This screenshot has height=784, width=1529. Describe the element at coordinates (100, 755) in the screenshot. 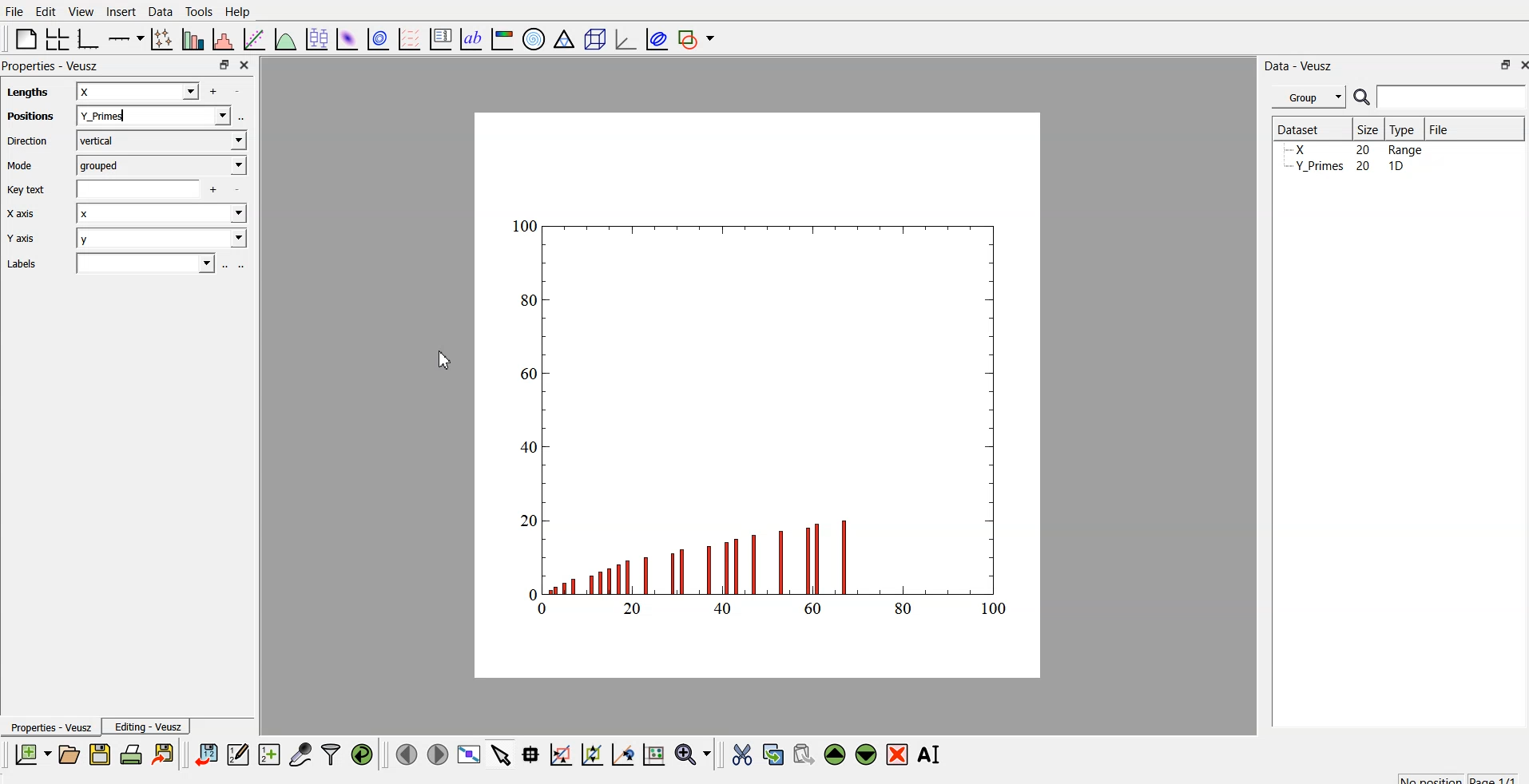

I see `save a document` at that location.